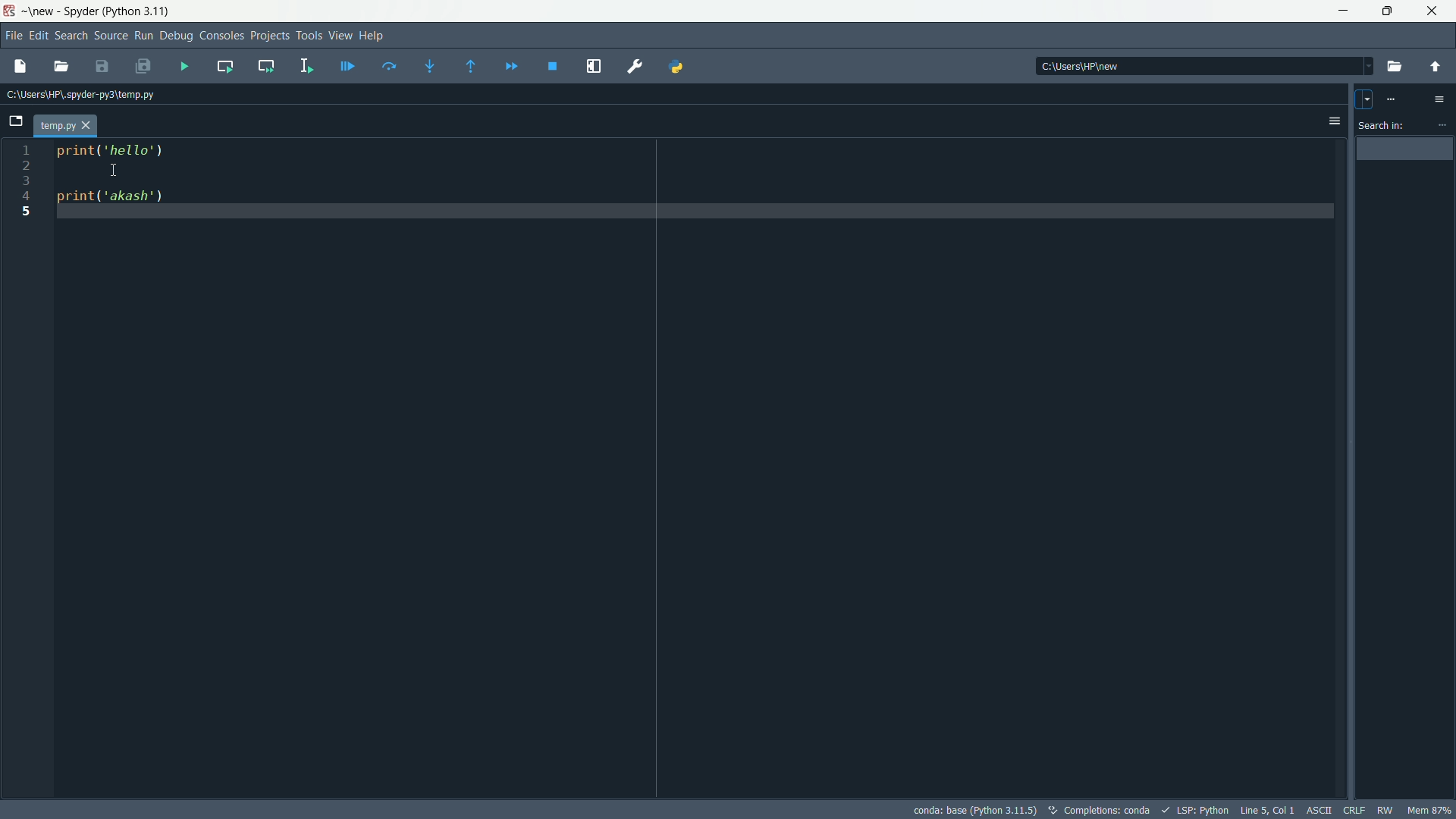  What do you see at coordinates (1382, 125) in the screenshot?
I see `search in:` at bounding box center [1382, 125].